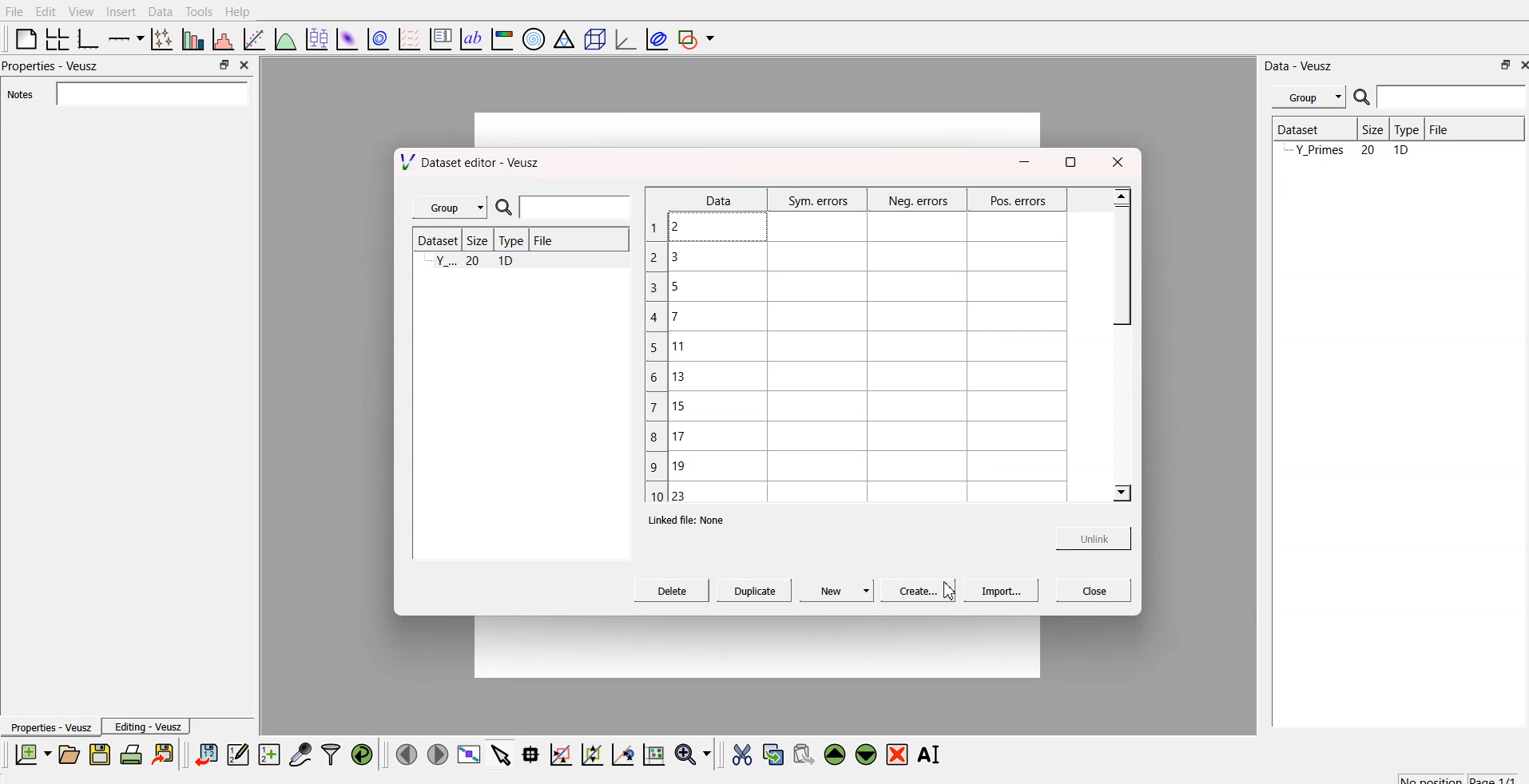 This screenshot has height=784, width=1529. I want to click on plot function, so click(284, 39).